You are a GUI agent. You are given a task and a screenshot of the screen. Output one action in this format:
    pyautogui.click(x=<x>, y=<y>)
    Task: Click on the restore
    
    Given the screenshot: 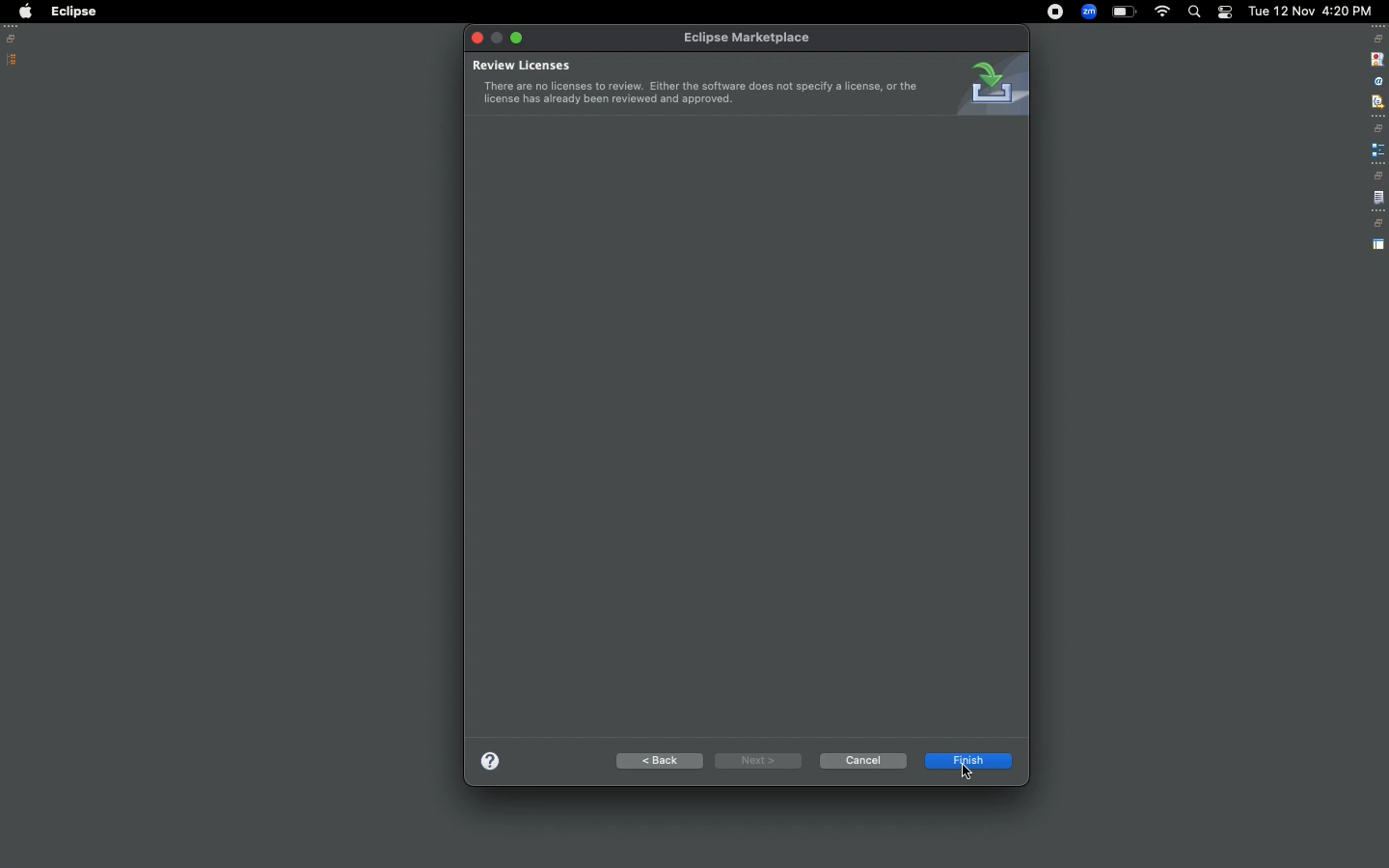 What is the action you would take?
    pyautogui.click(x=1377, y=176)
    